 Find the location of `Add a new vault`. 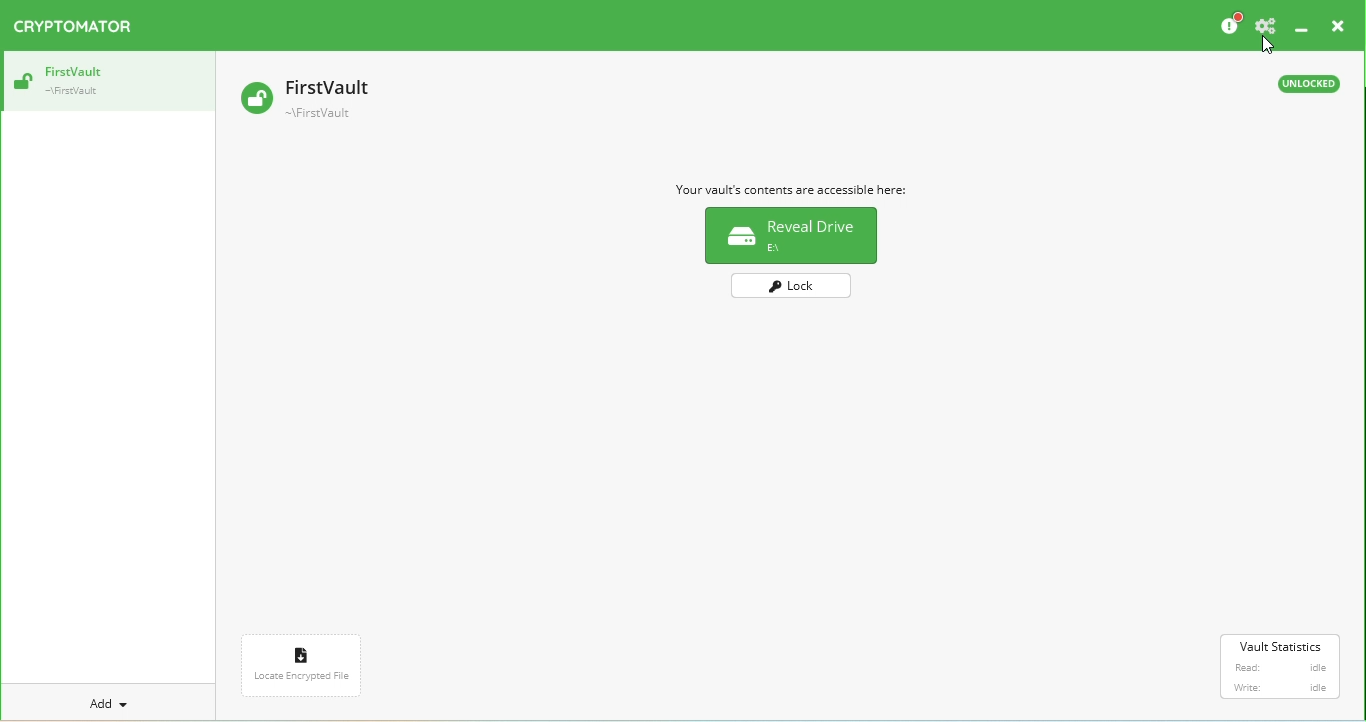

Add a new vault is located at coordinates (111, 703).